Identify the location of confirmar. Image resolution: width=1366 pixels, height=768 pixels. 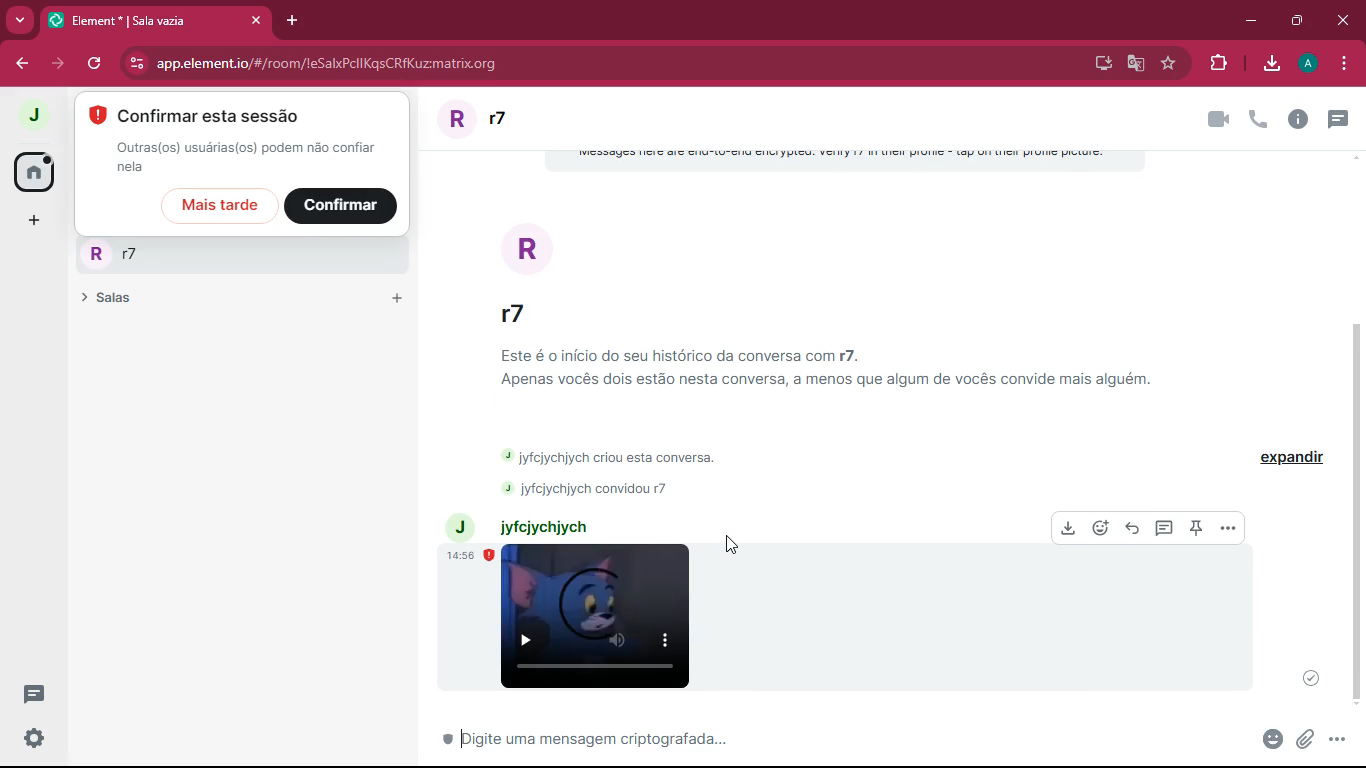
(343, 207).